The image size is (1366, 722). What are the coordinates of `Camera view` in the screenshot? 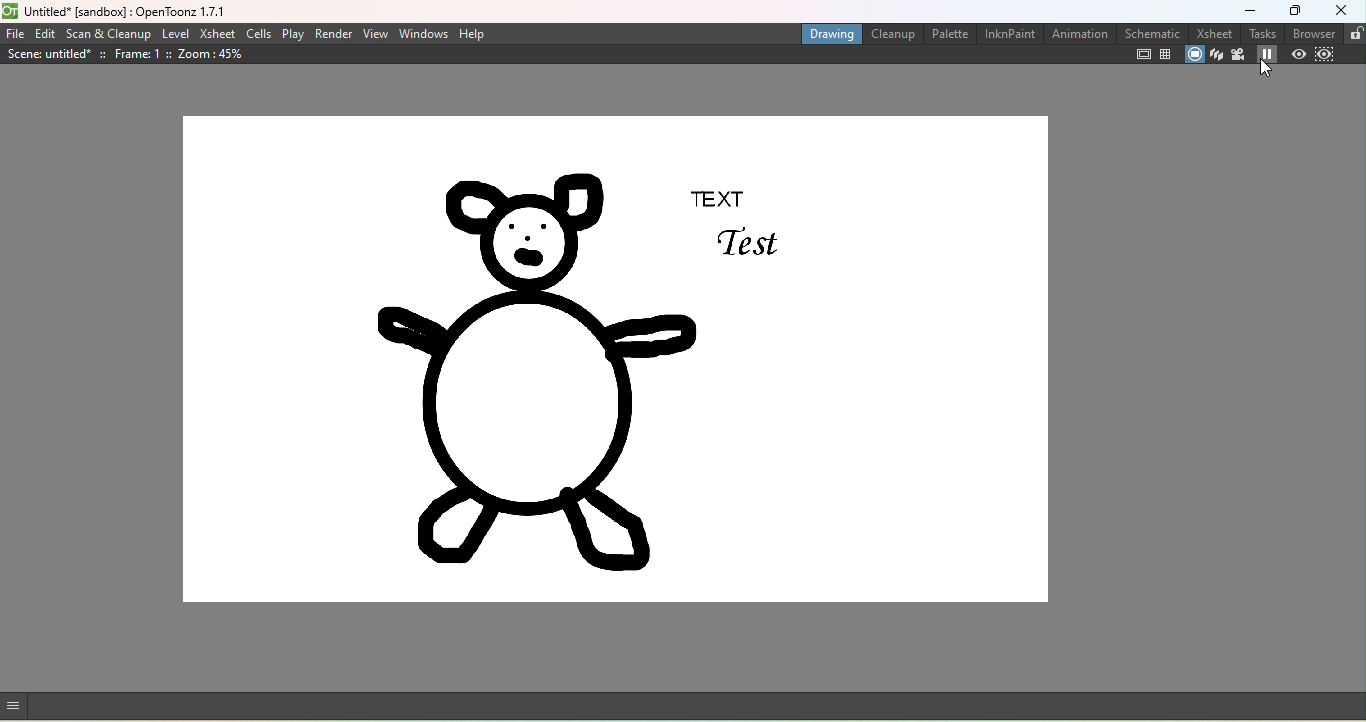 It's located at (1239, 54).